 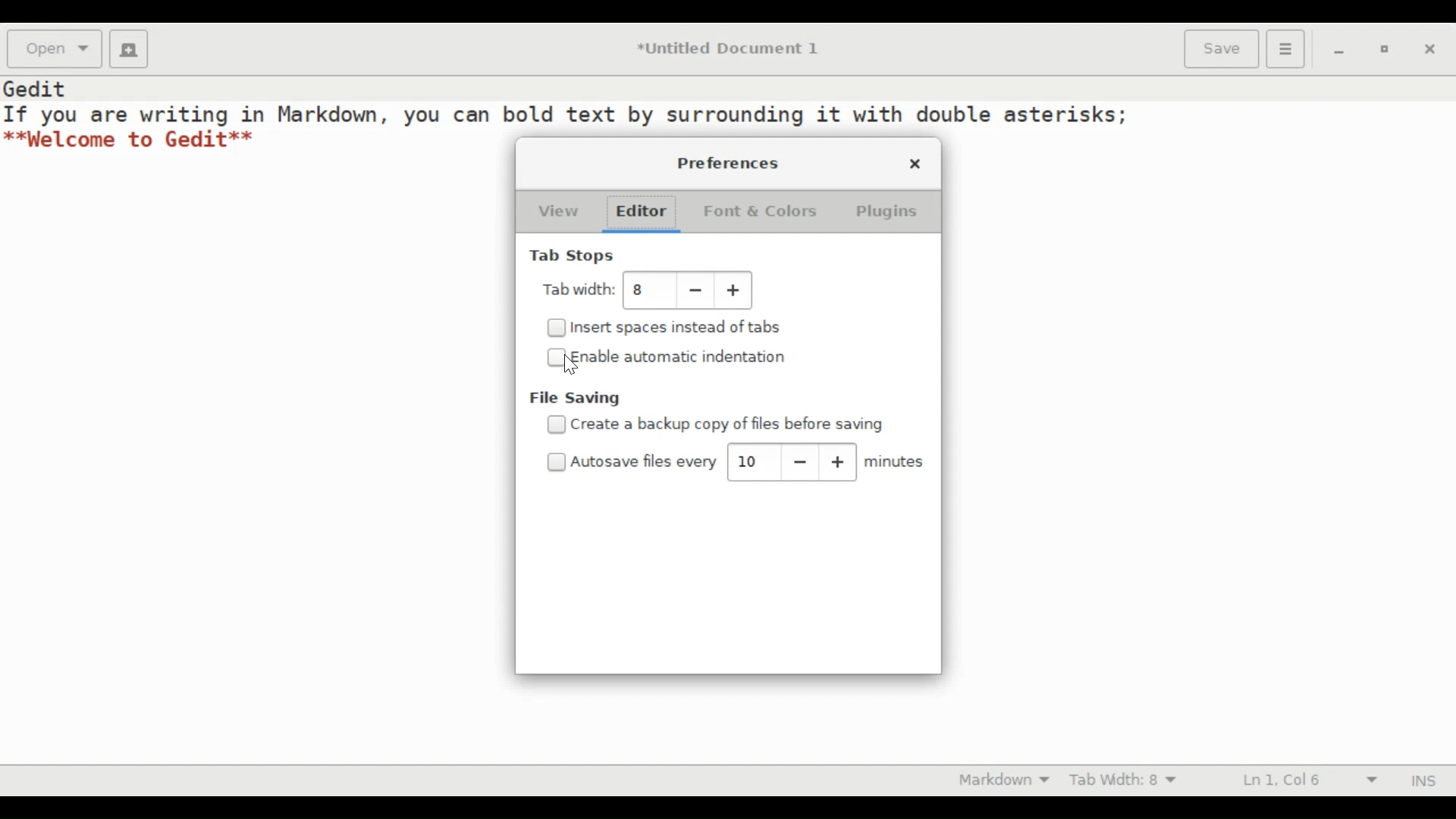 I want to click on restore, so click(x=1385, y=51).